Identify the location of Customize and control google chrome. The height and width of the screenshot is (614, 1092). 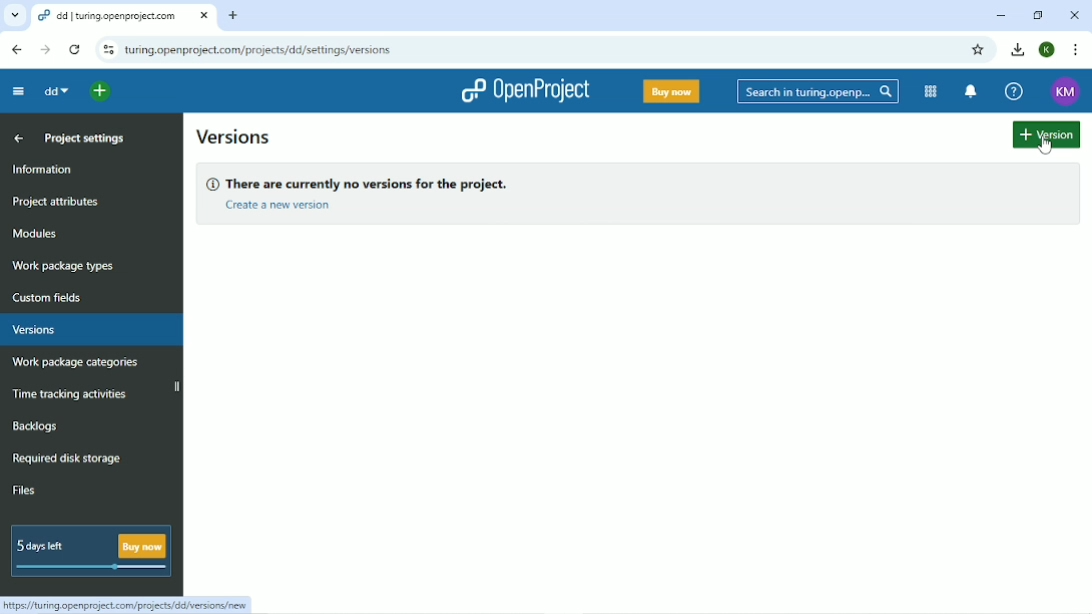
(1078, 50).